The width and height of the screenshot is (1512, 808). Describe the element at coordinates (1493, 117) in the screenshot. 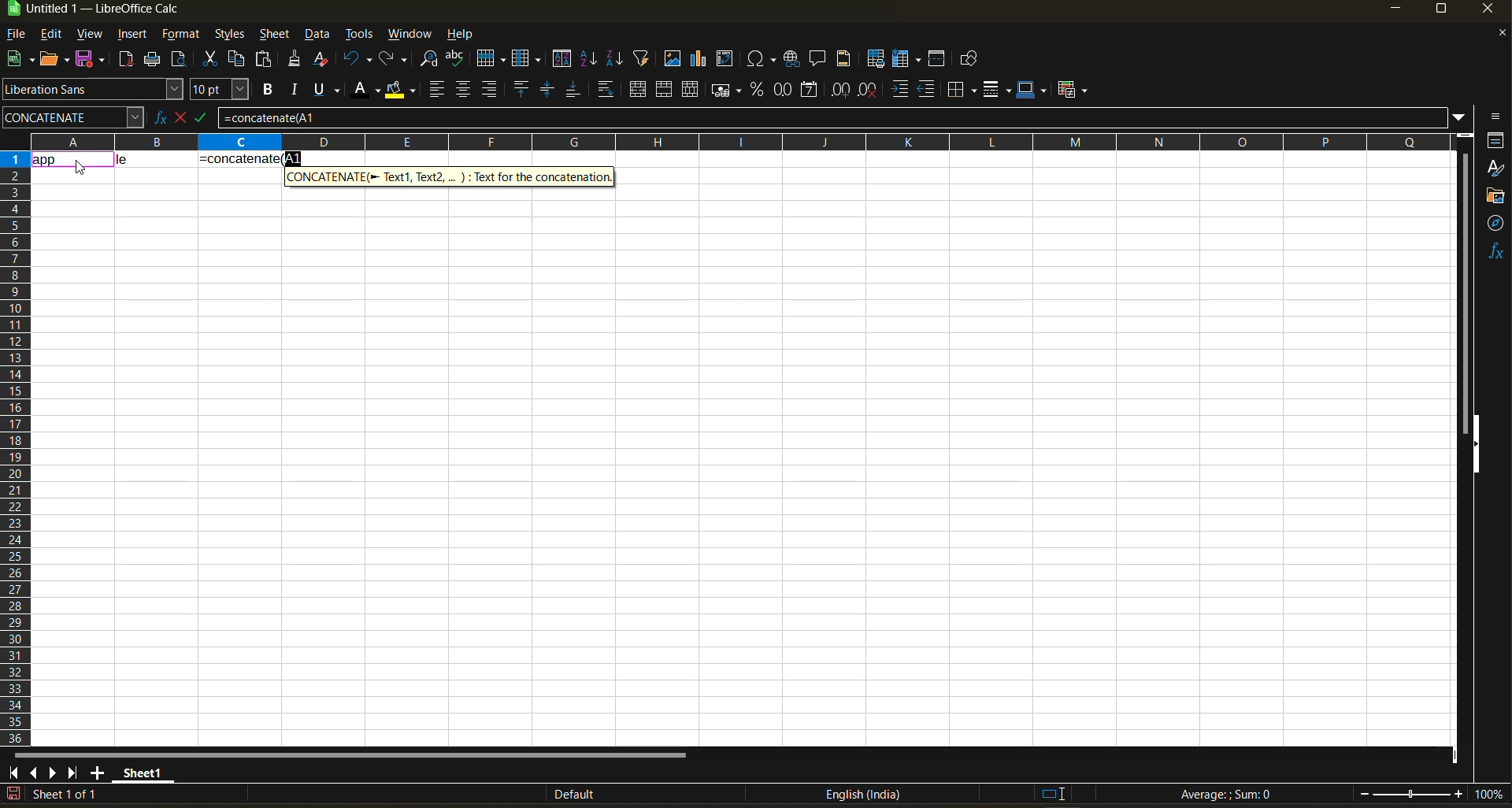

I see `sidebar settings` at that location.